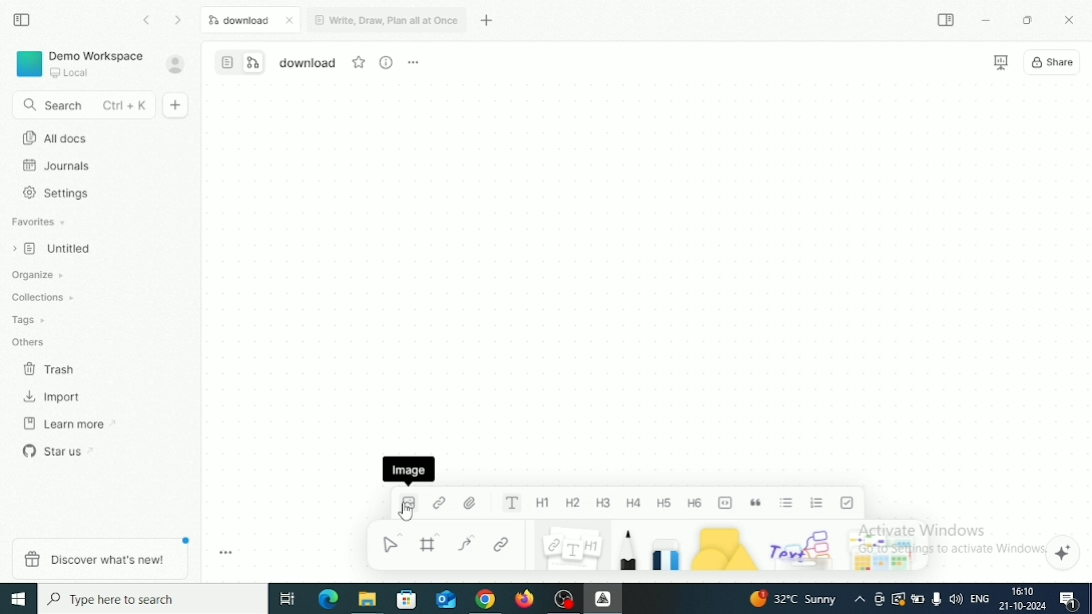  What do you see at coordinates (51, 369) in the screenshot?
I see `Trash` at bounding box center [51, 369].